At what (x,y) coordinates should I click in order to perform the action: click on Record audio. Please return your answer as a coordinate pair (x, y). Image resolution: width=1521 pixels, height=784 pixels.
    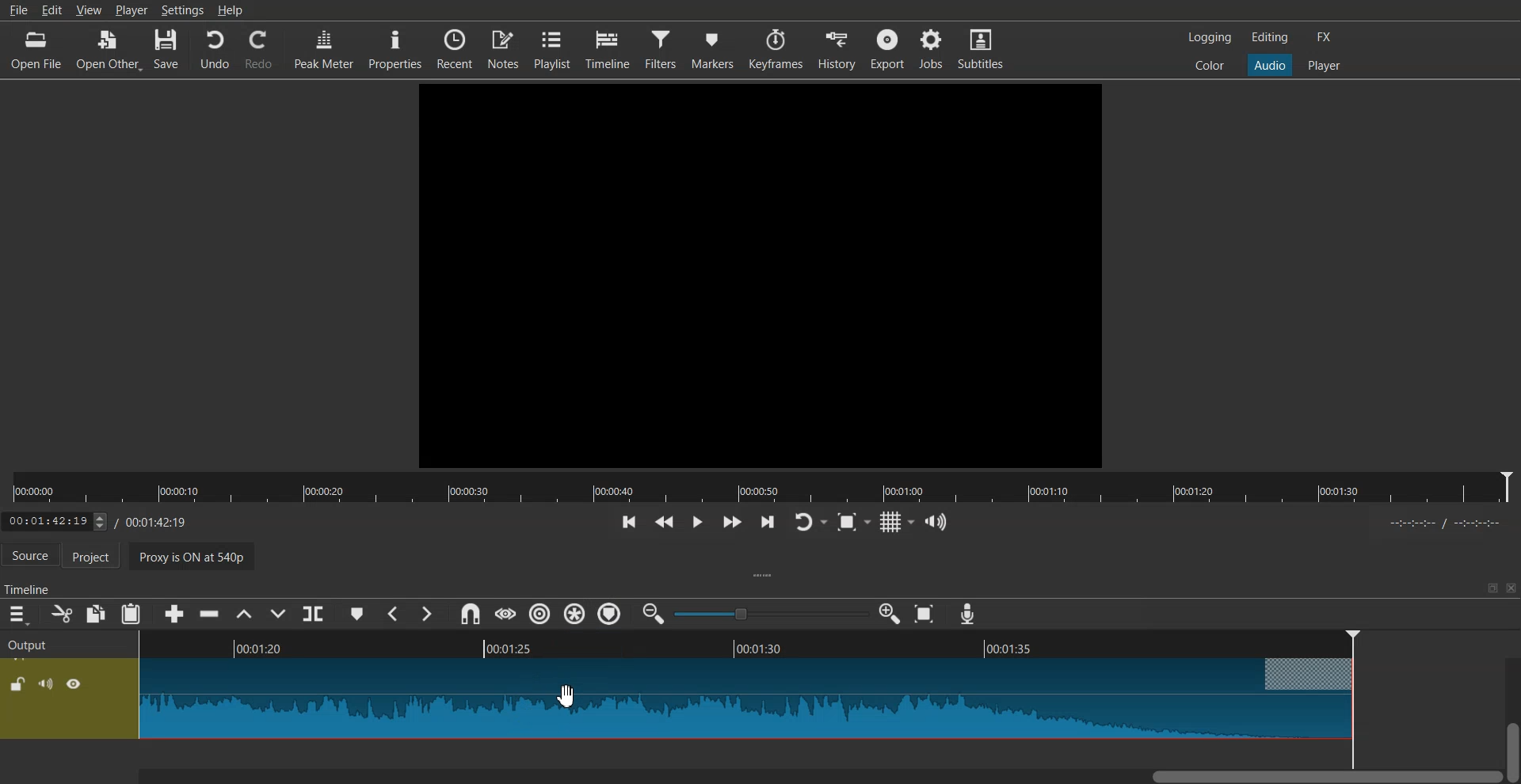
    Looking at the image, I should click on (966, 614).